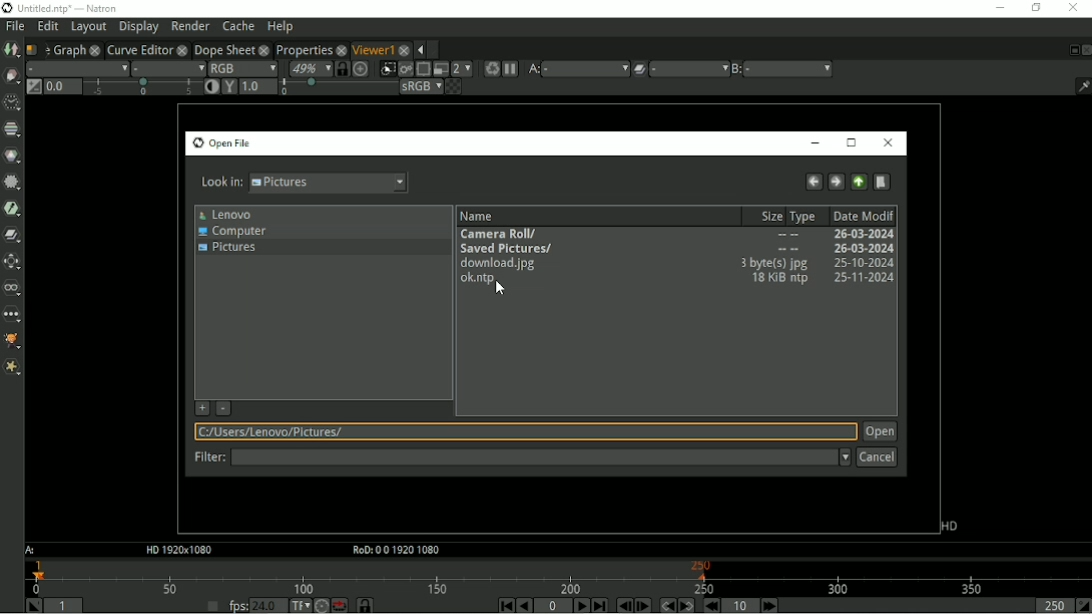 This screenshot has height=614, width=1092. I want to click on Play forward, so click(580, 605).